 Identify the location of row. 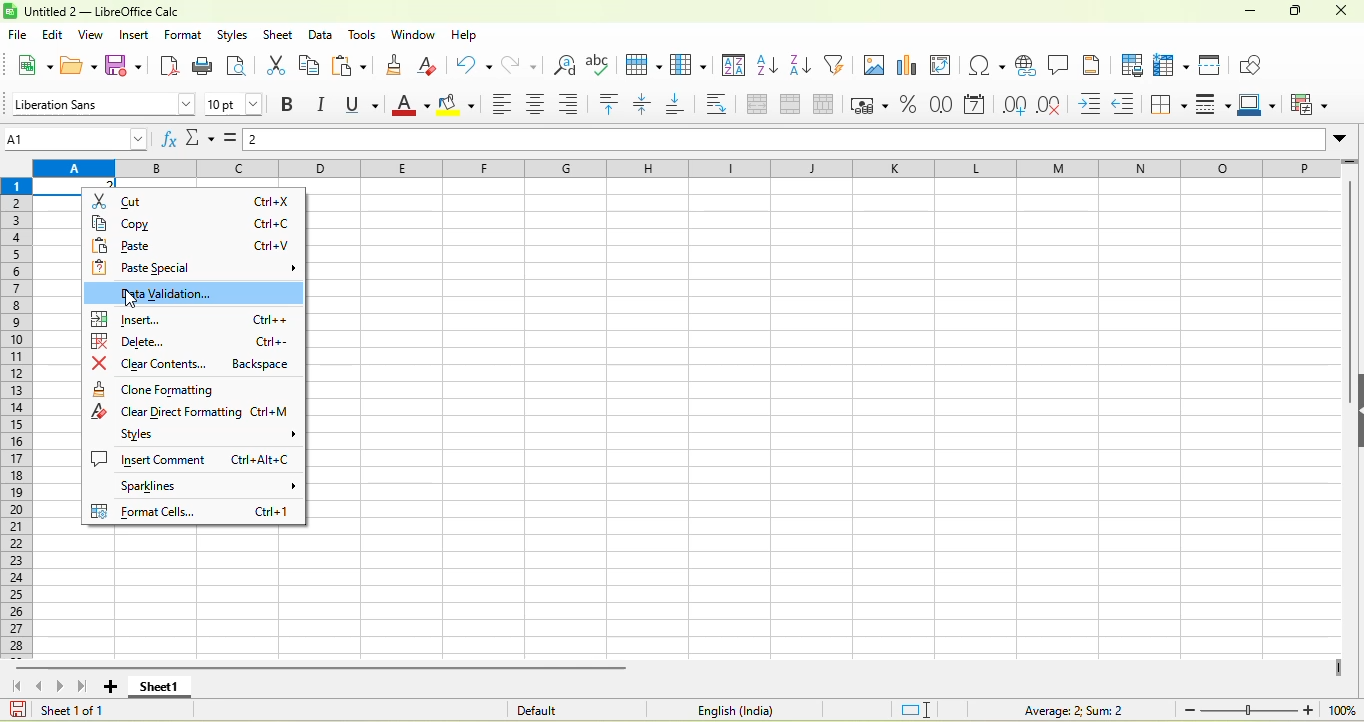
(643, 65).